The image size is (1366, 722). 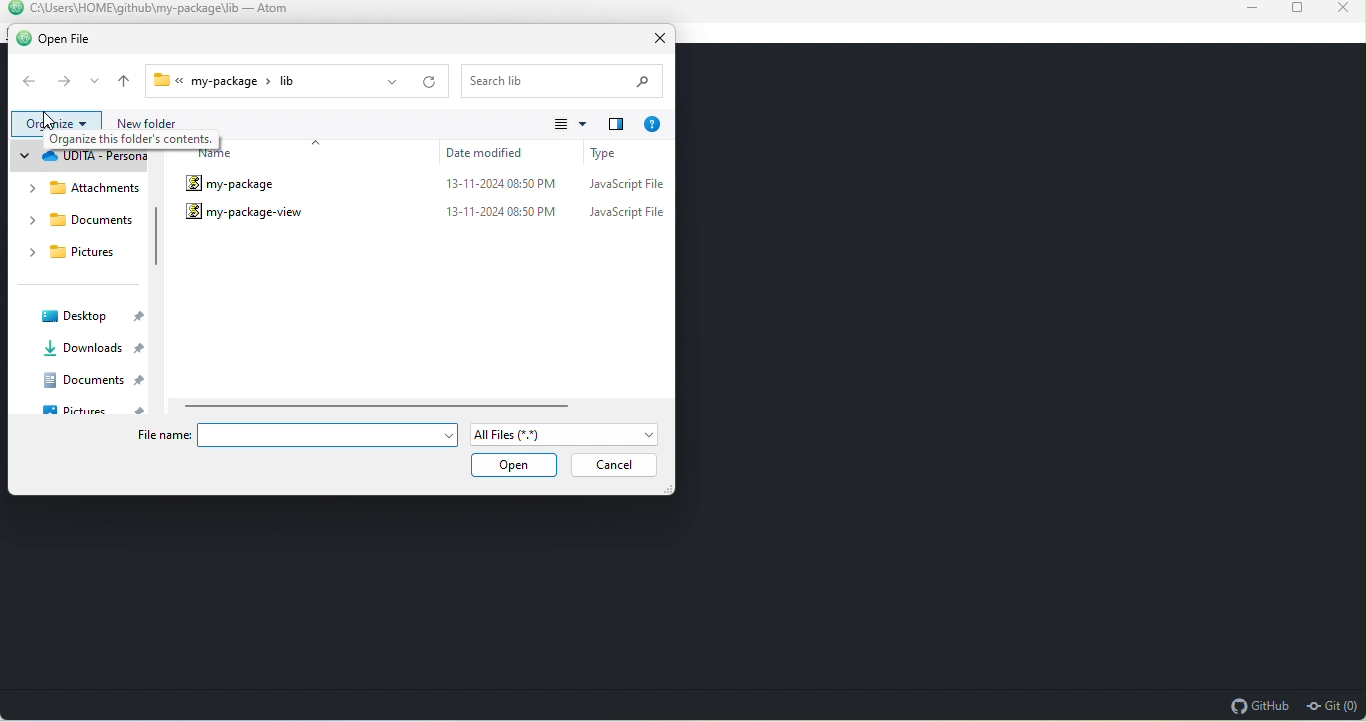 I want to click on directory path, so click(x=134, y=8).